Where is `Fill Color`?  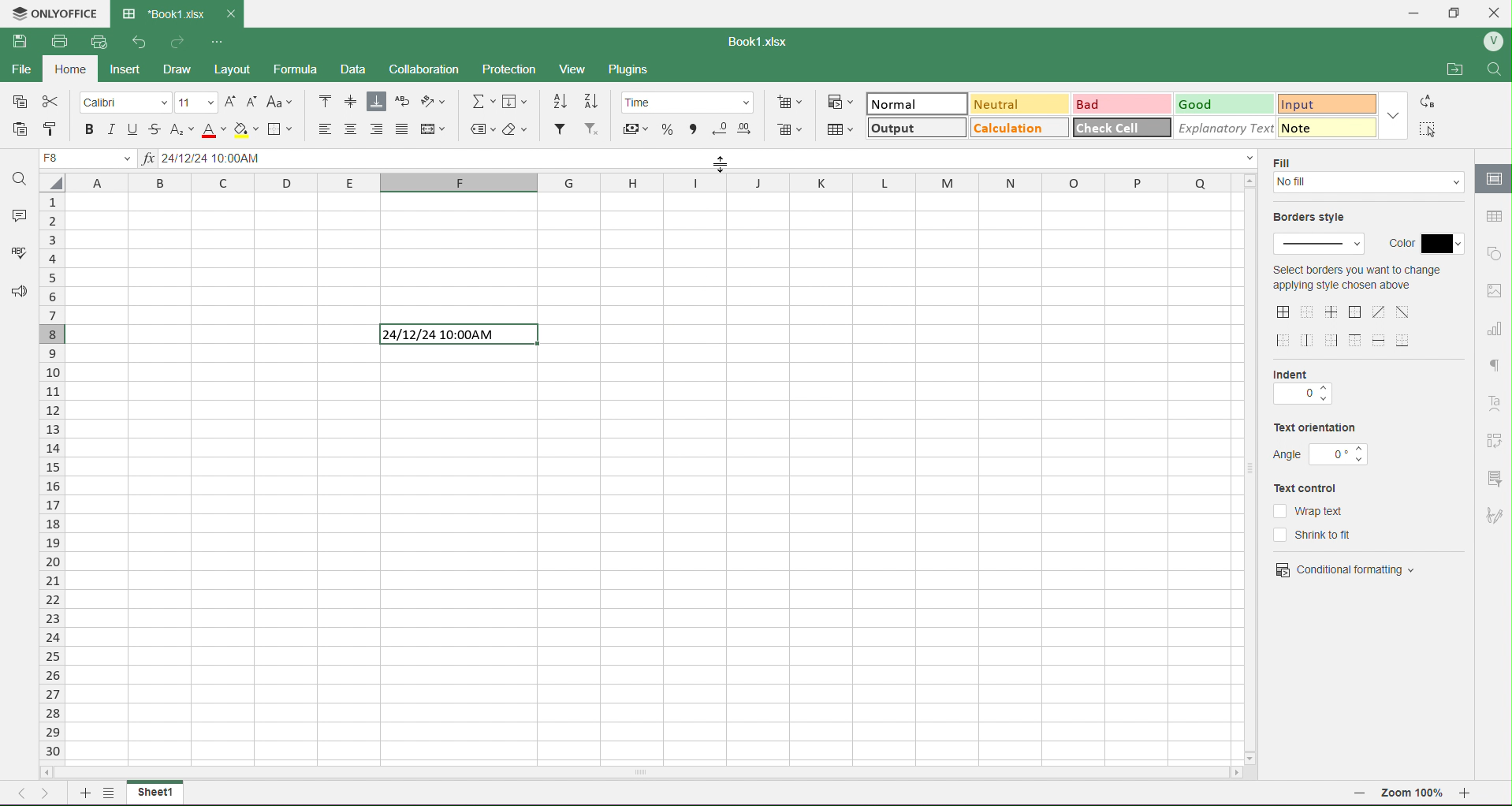
Fill Color is located at coordinates (245, 129).